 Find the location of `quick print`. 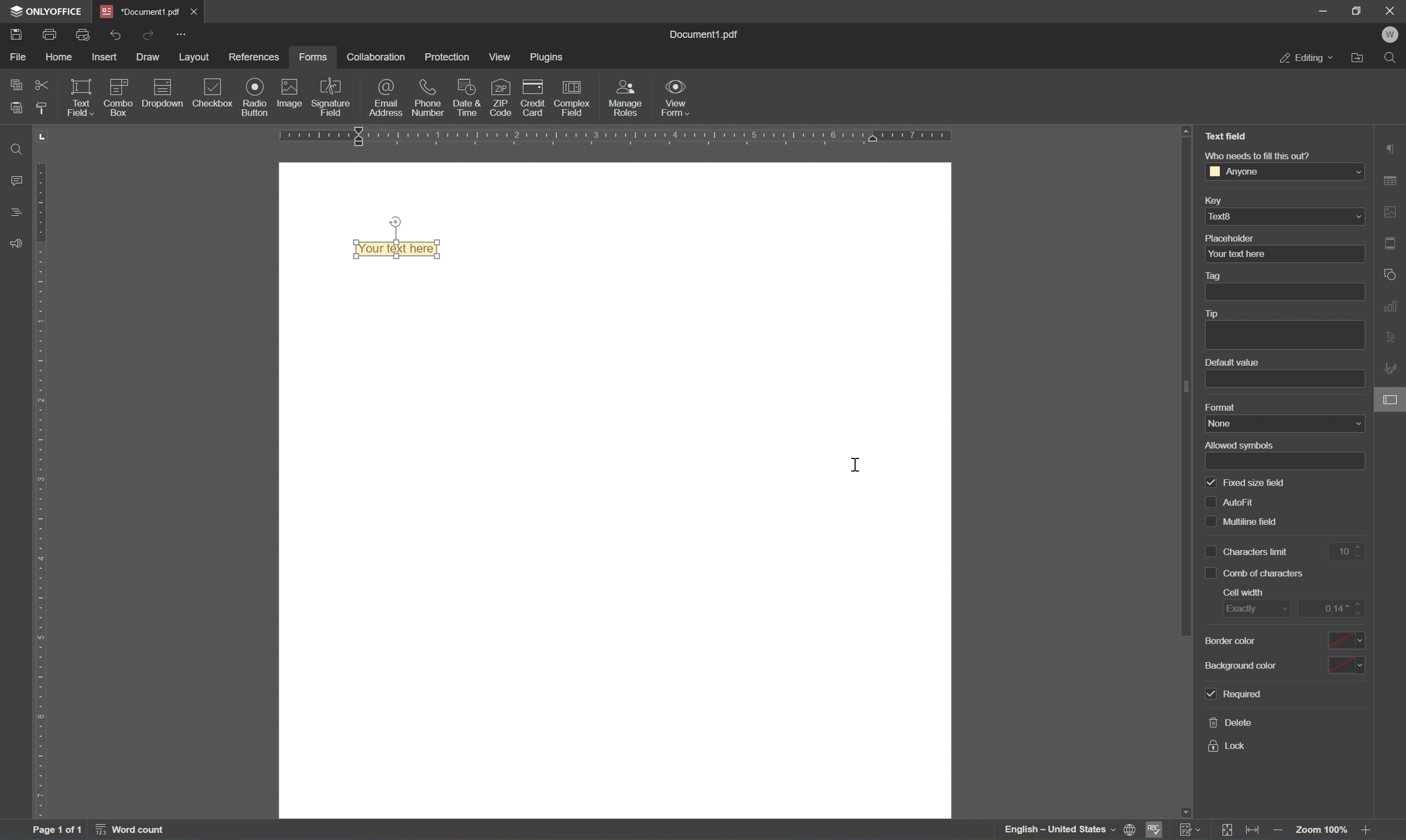

quick print is located at coordinates (86, 35).